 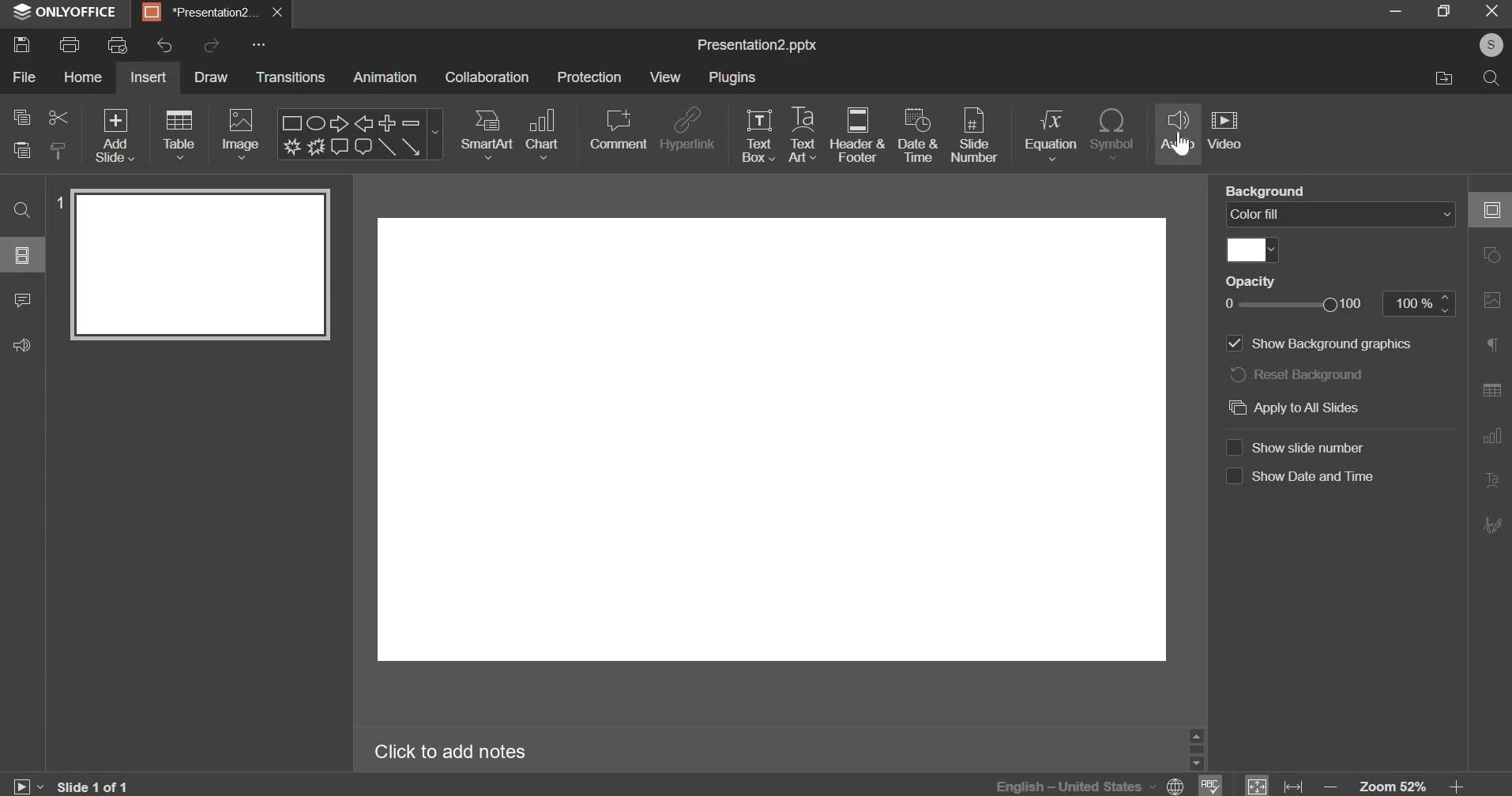 What do you see at coordinates (1393, 14) in the screenshot?
I see `minimize` at bounding box center [1393, 14].